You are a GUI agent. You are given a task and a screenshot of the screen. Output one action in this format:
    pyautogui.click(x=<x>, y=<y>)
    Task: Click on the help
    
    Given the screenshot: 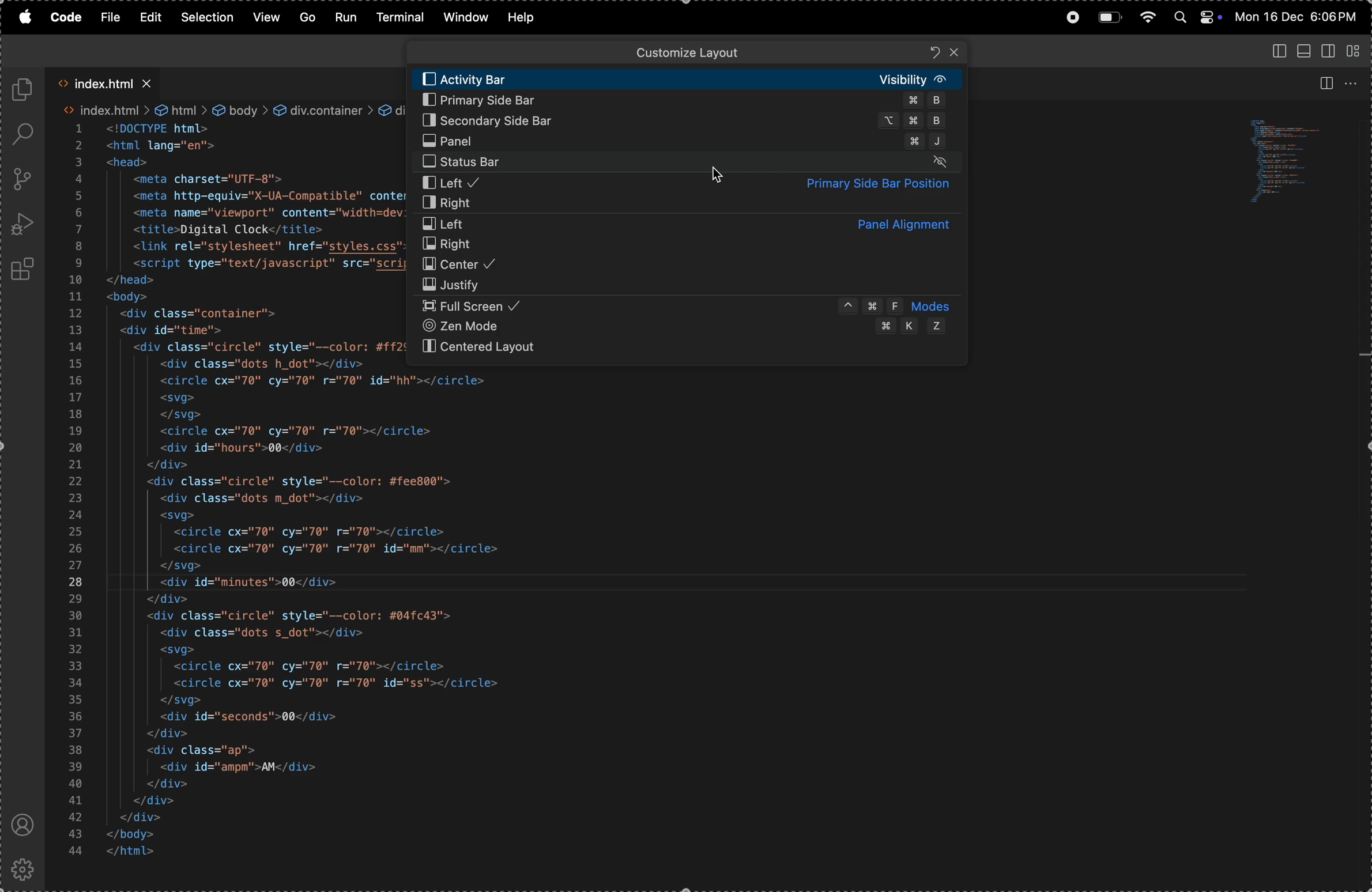 What is the action you would take?
    pyautogui.click(x=529, y=17)
    